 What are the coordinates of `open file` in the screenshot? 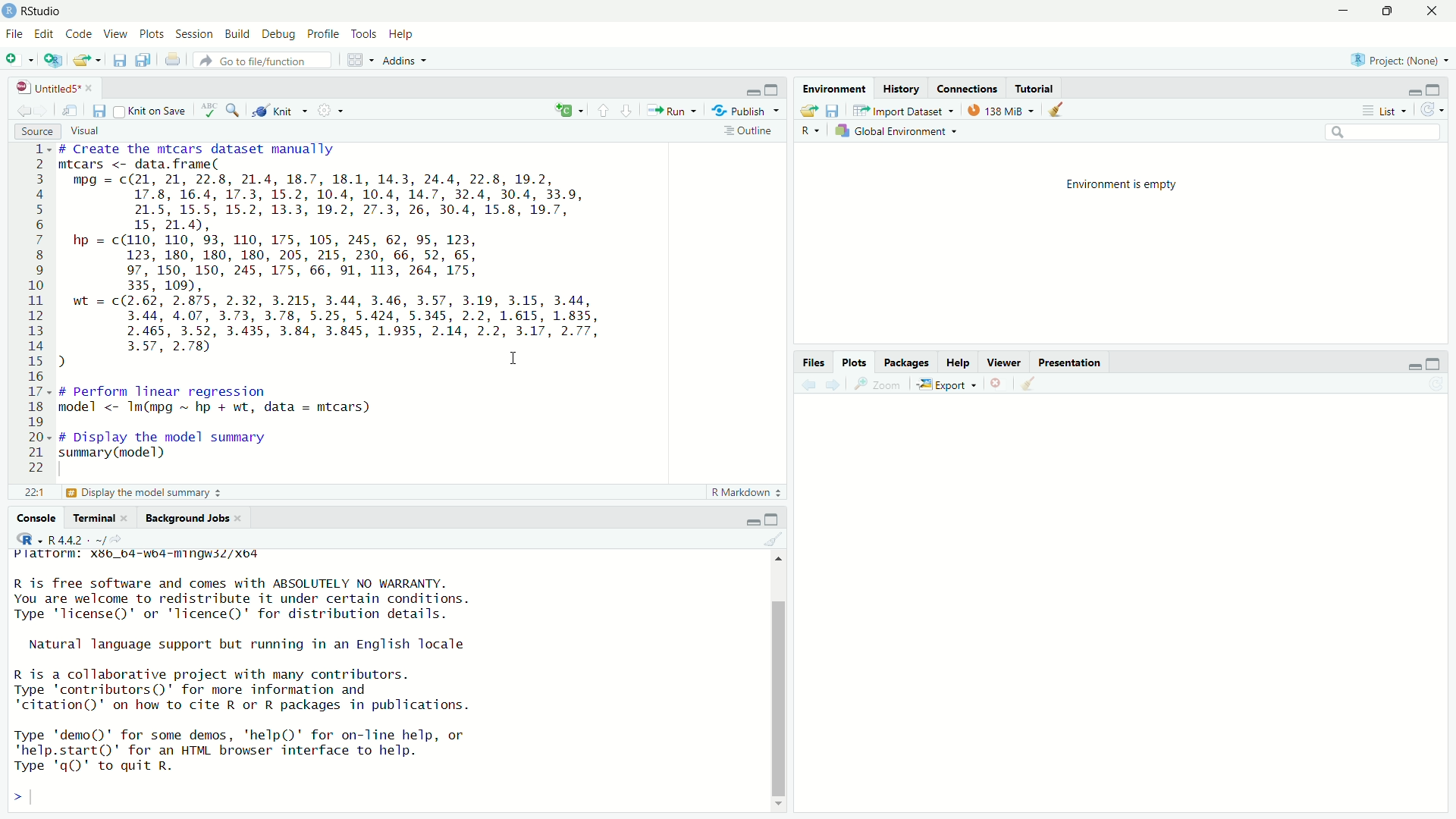 It's located at (86, 60).